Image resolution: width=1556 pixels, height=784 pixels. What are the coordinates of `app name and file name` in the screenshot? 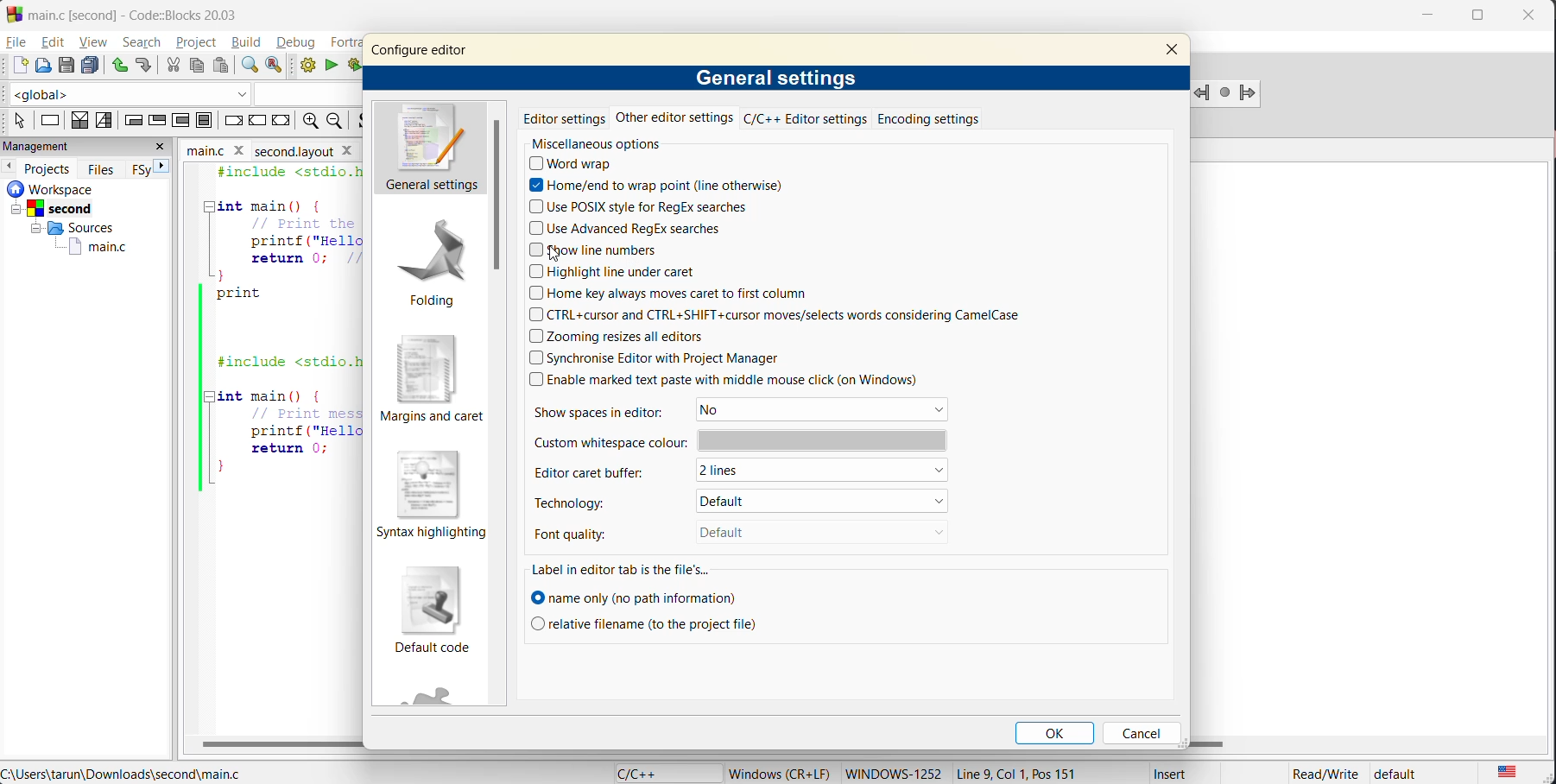 It's located at (154, 14).